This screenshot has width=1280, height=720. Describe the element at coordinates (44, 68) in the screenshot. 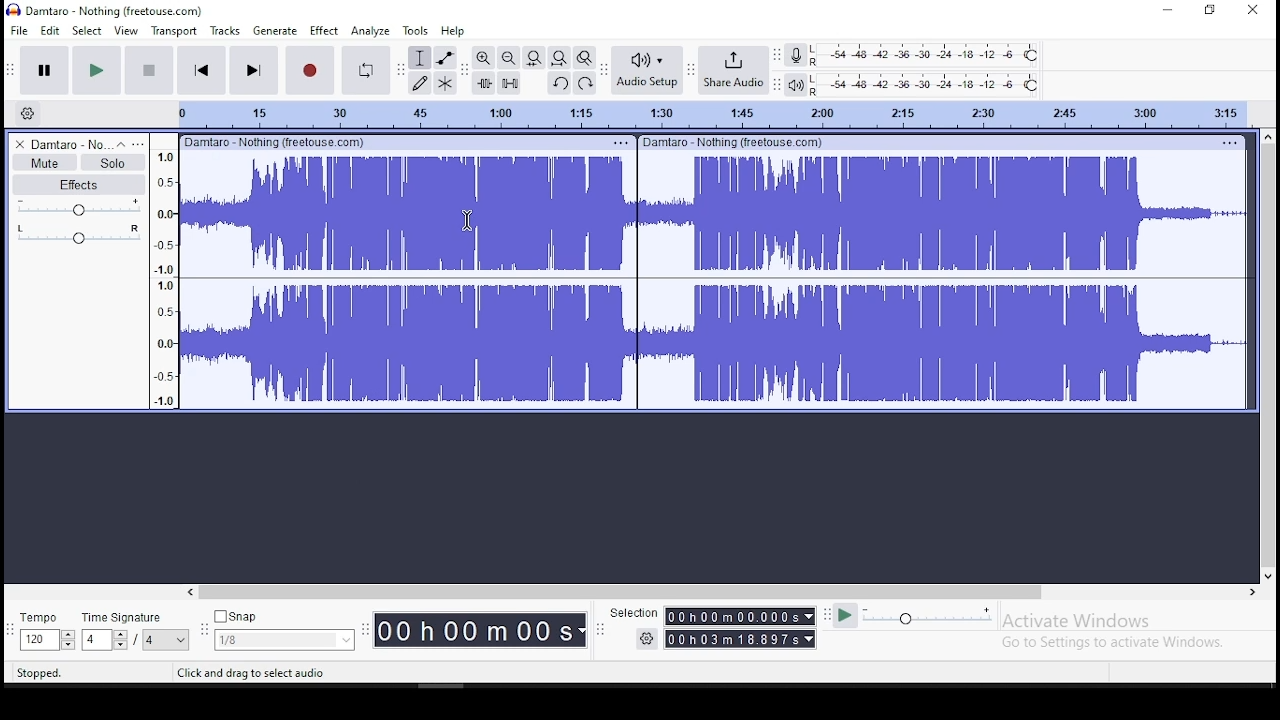

I see `pause` at that location.